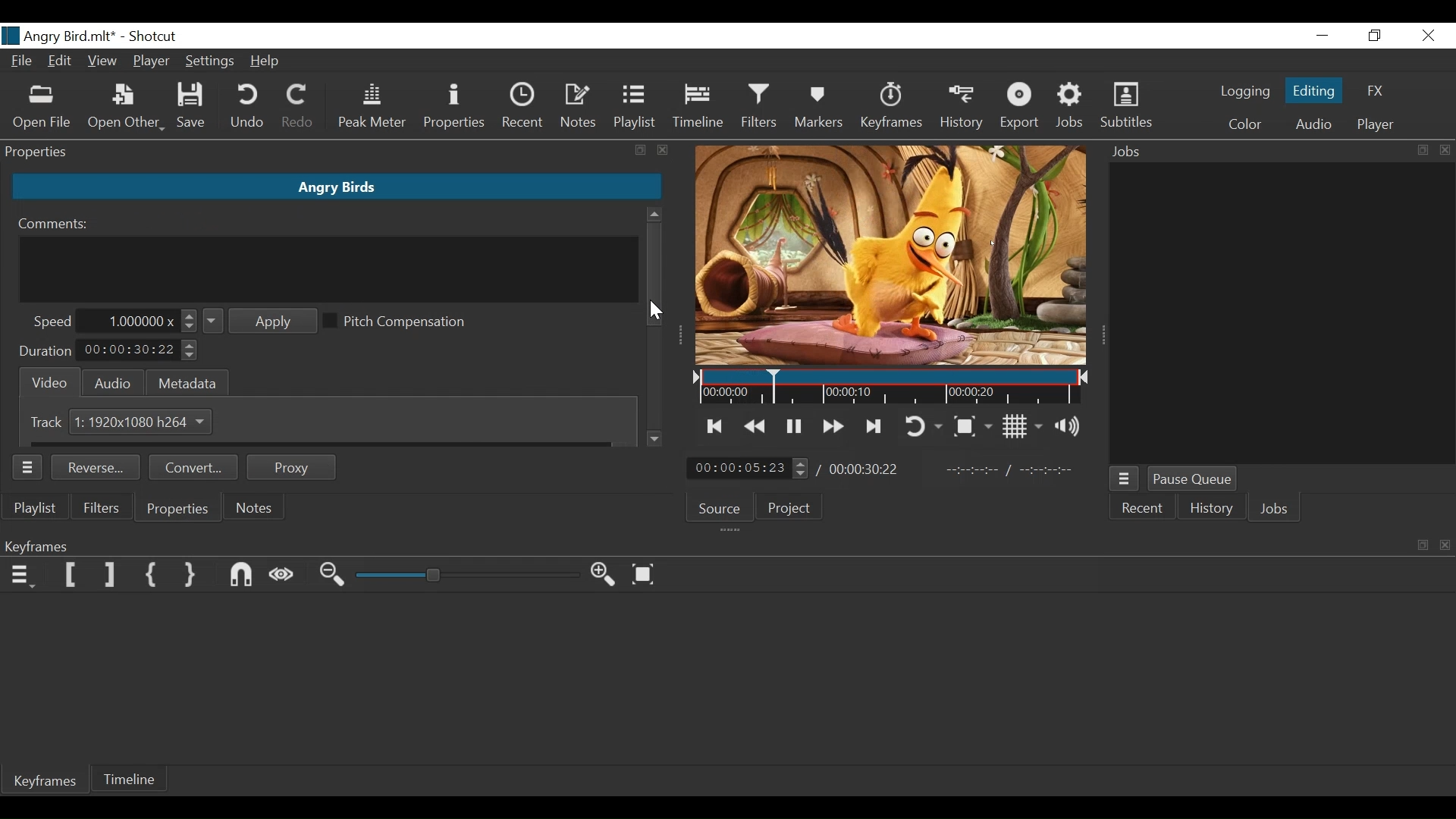 This screenshot has height=819, width=1456. What do you see at coordinates (60, 62) in the screenshot?
I see `Edit` at bounding box center [60, 62].